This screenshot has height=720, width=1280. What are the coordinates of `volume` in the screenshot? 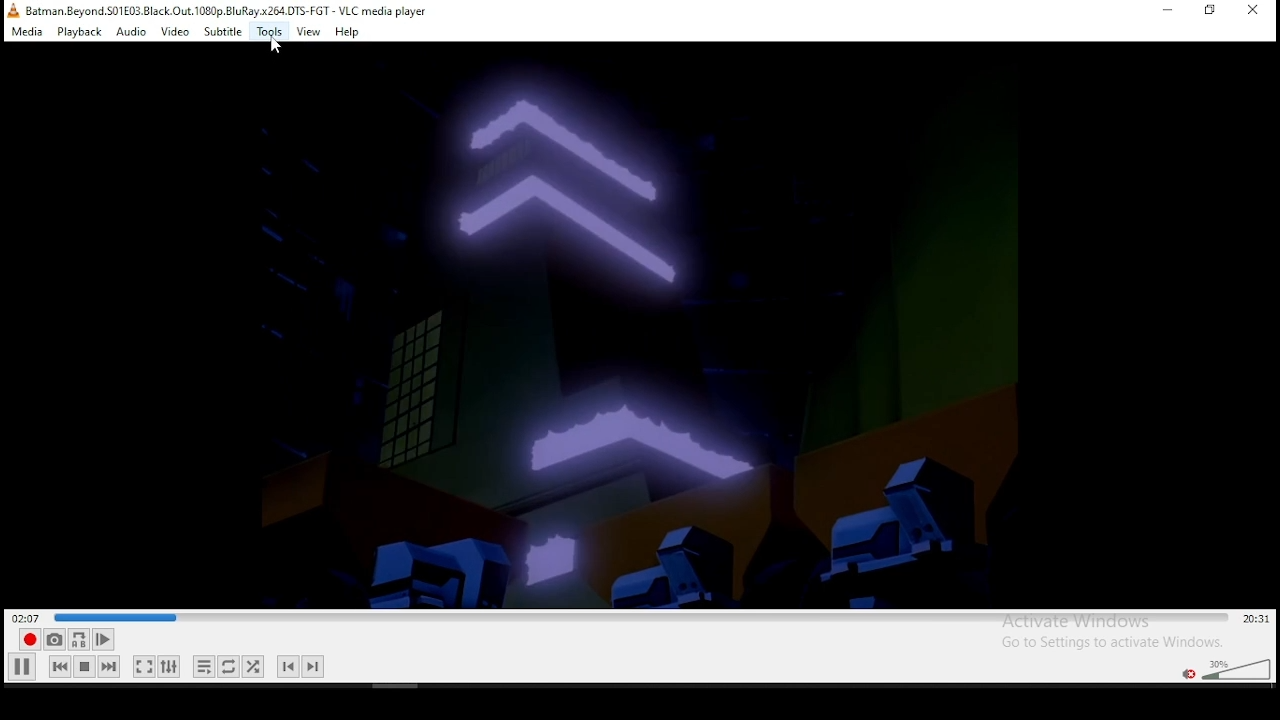 It's located at (1238, 667).